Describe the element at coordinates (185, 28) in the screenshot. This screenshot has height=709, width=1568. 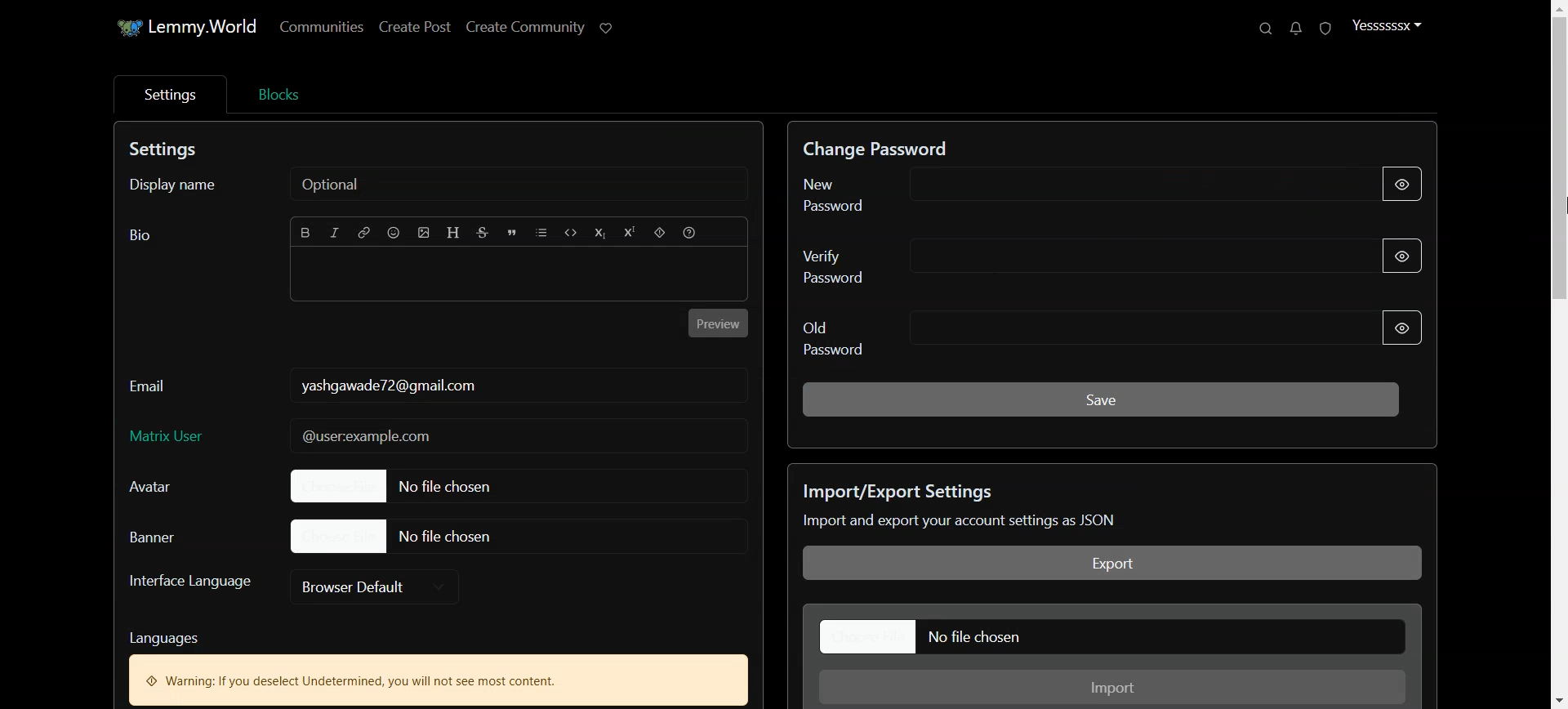
I see `Home page` at that location.